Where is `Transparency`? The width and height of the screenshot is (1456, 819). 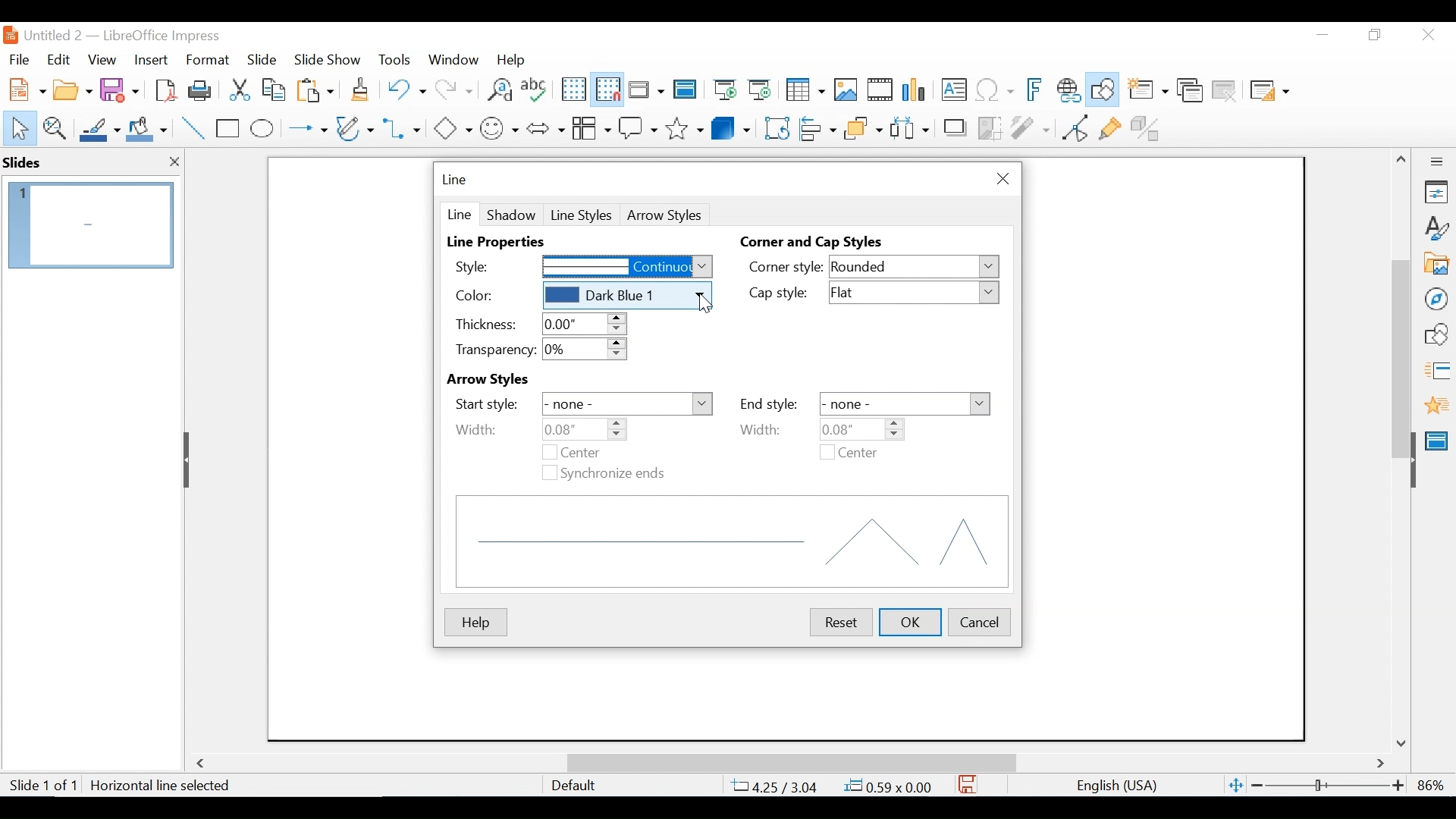
Transparency is located at coordinates (493, 350).